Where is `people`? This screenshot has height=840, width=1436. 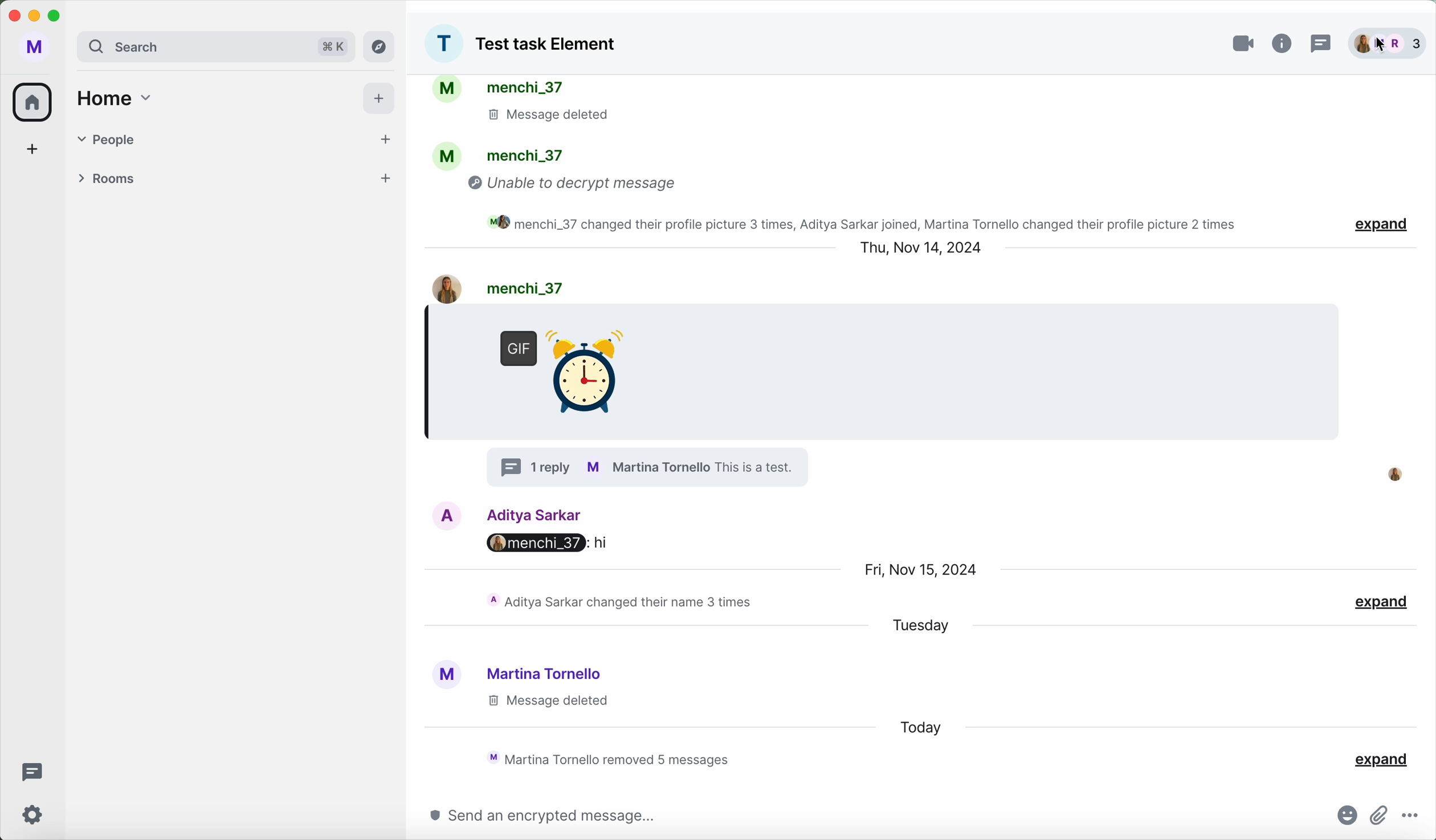
people is located at coordinates (527, 88).